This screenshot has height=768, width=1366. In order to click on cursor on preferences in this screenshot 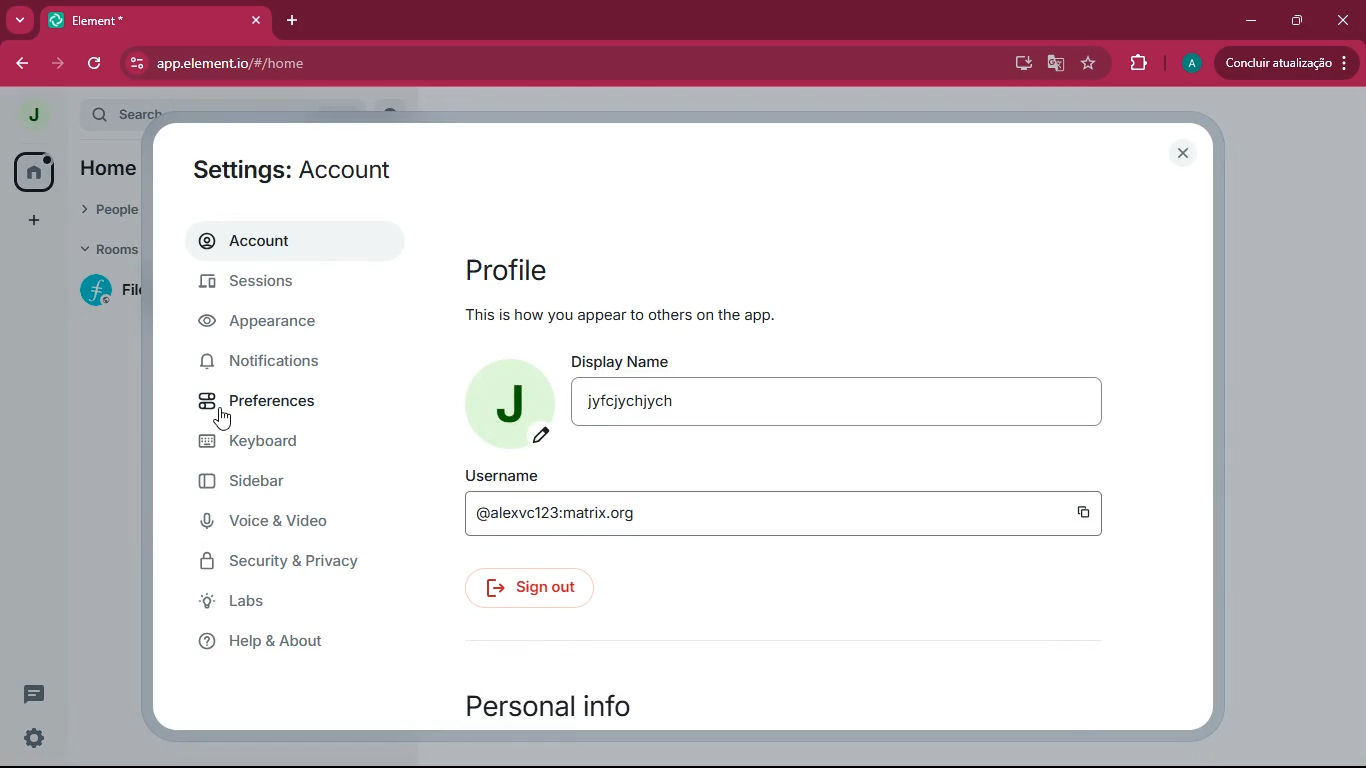, I will do `click(227, 417)`.